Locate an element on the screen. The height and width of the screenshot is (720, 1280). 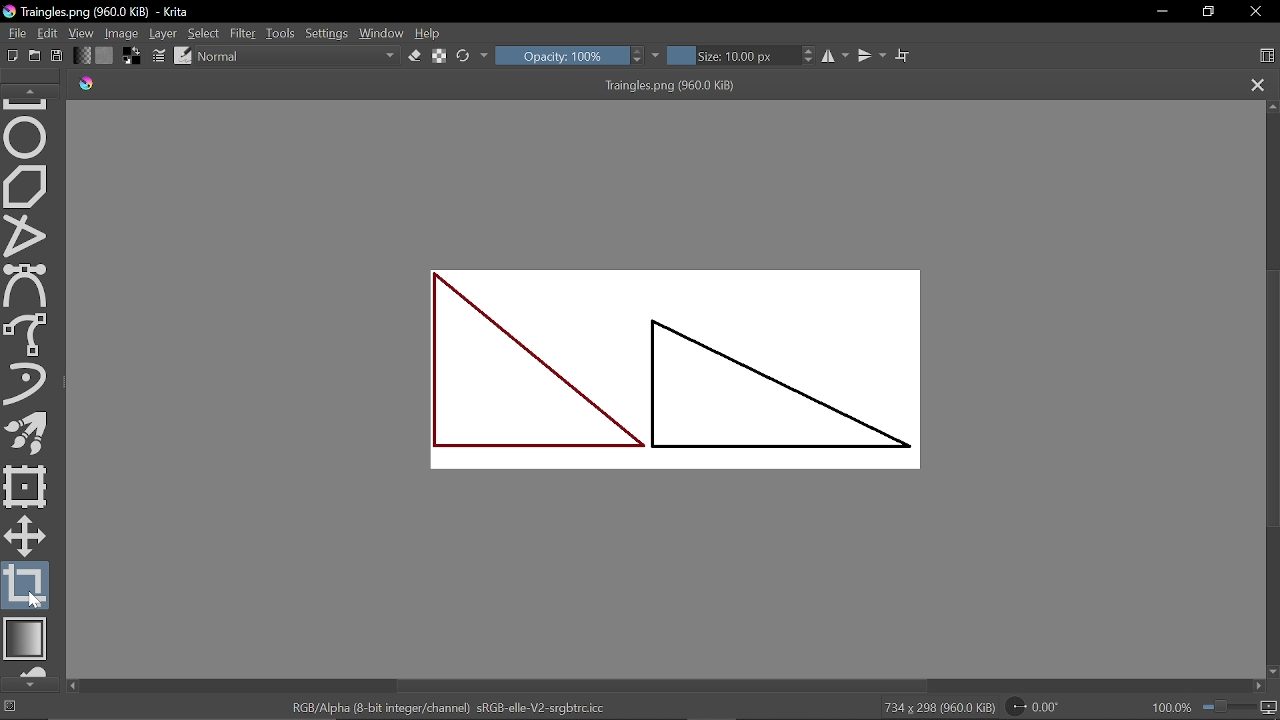
Settings is located at coordinates (327, 34).